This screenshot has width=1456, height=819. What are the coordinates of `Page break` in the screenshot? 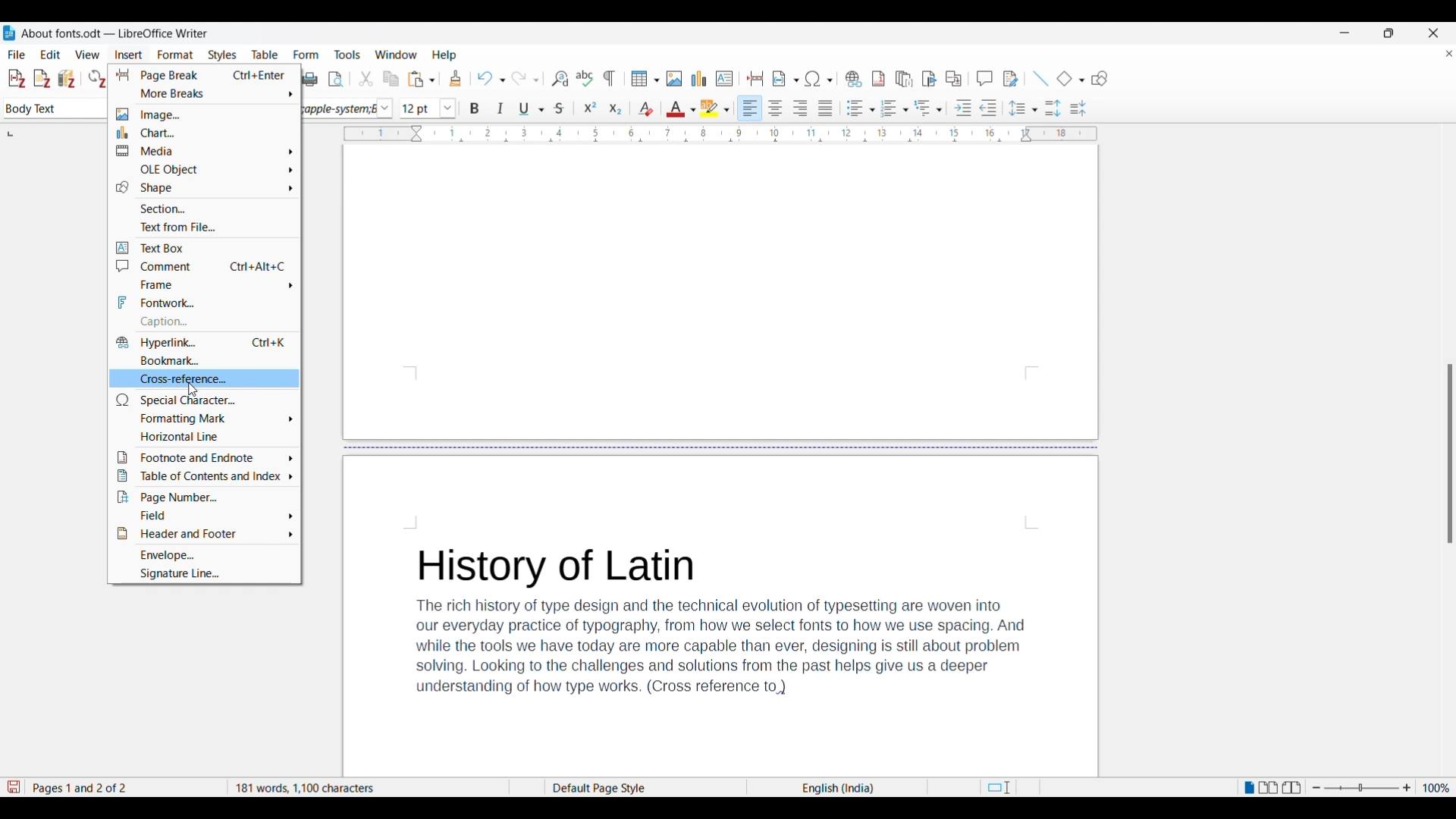 It's located at (204, 75).